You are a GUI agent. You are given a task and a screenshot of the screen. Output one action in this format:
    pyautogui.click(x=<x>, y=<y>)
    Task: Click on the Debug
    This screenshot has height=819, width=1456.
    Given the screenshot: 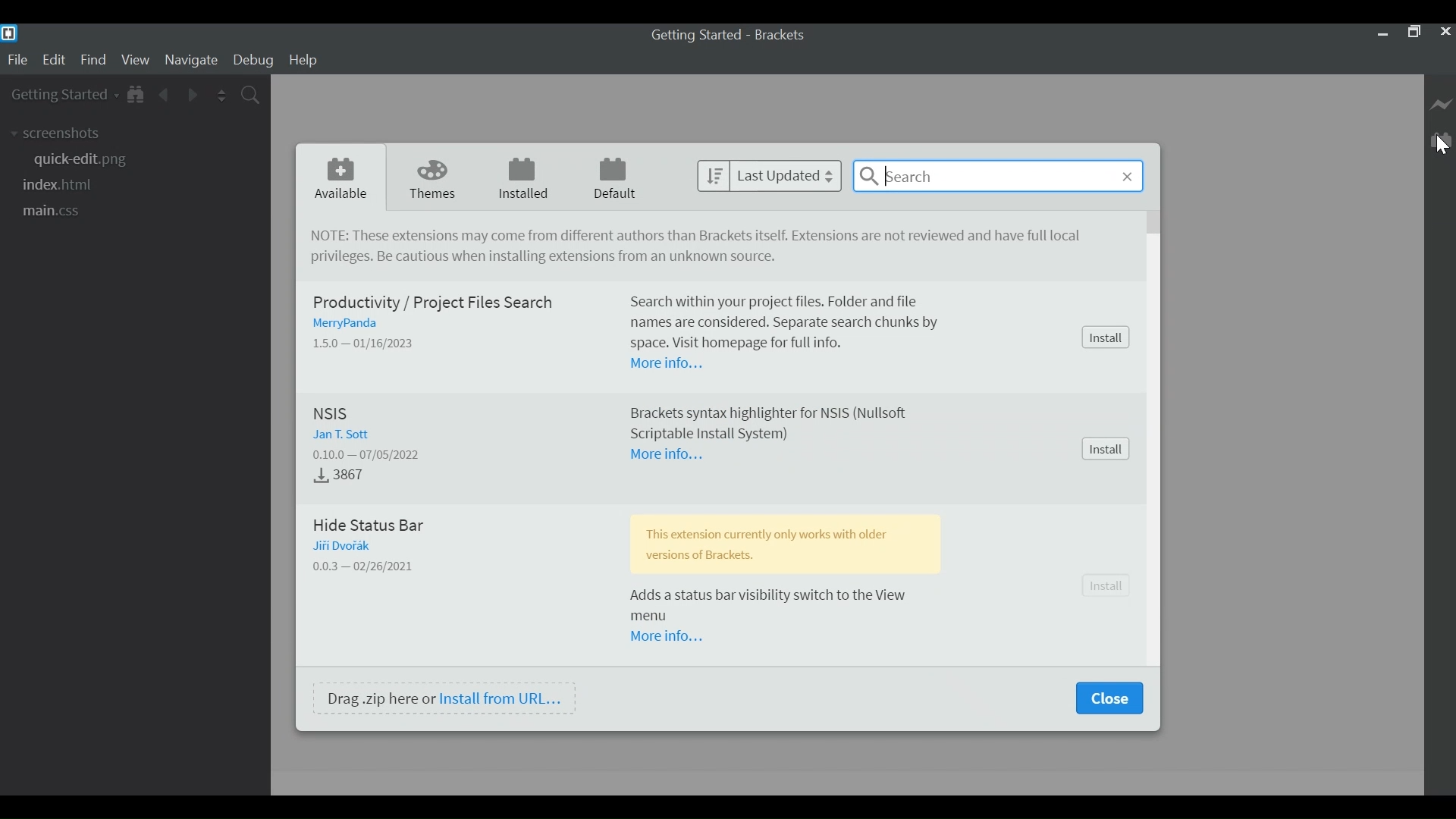 What is the action you would take?
    pyautogui.click(x=254, y=61)
    